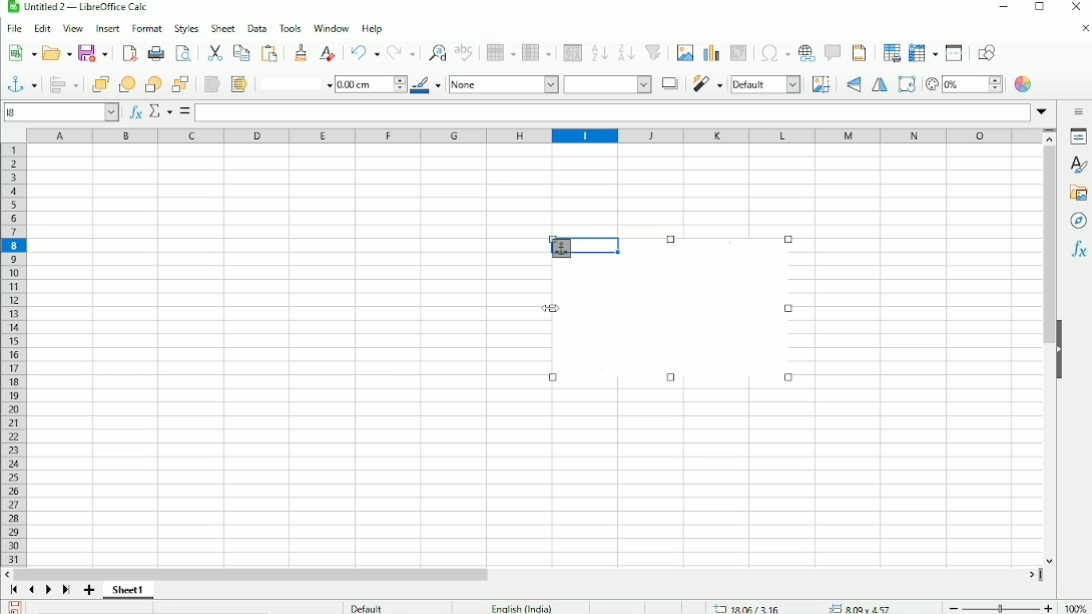 Image resolution: width=1092 pixels, height=614 pixels. I want to click on Language, so click(522, 607).